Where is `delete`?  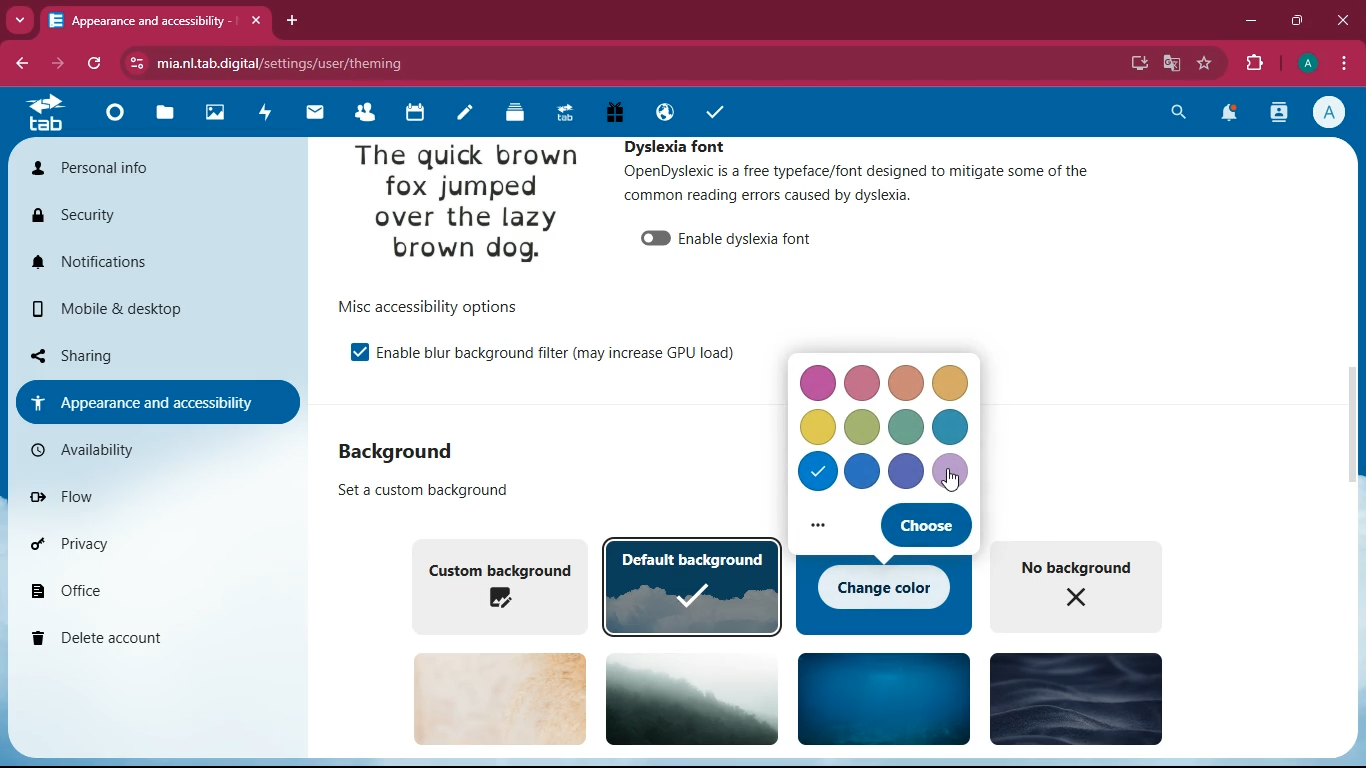
delete is located at coordinates (145, 640).